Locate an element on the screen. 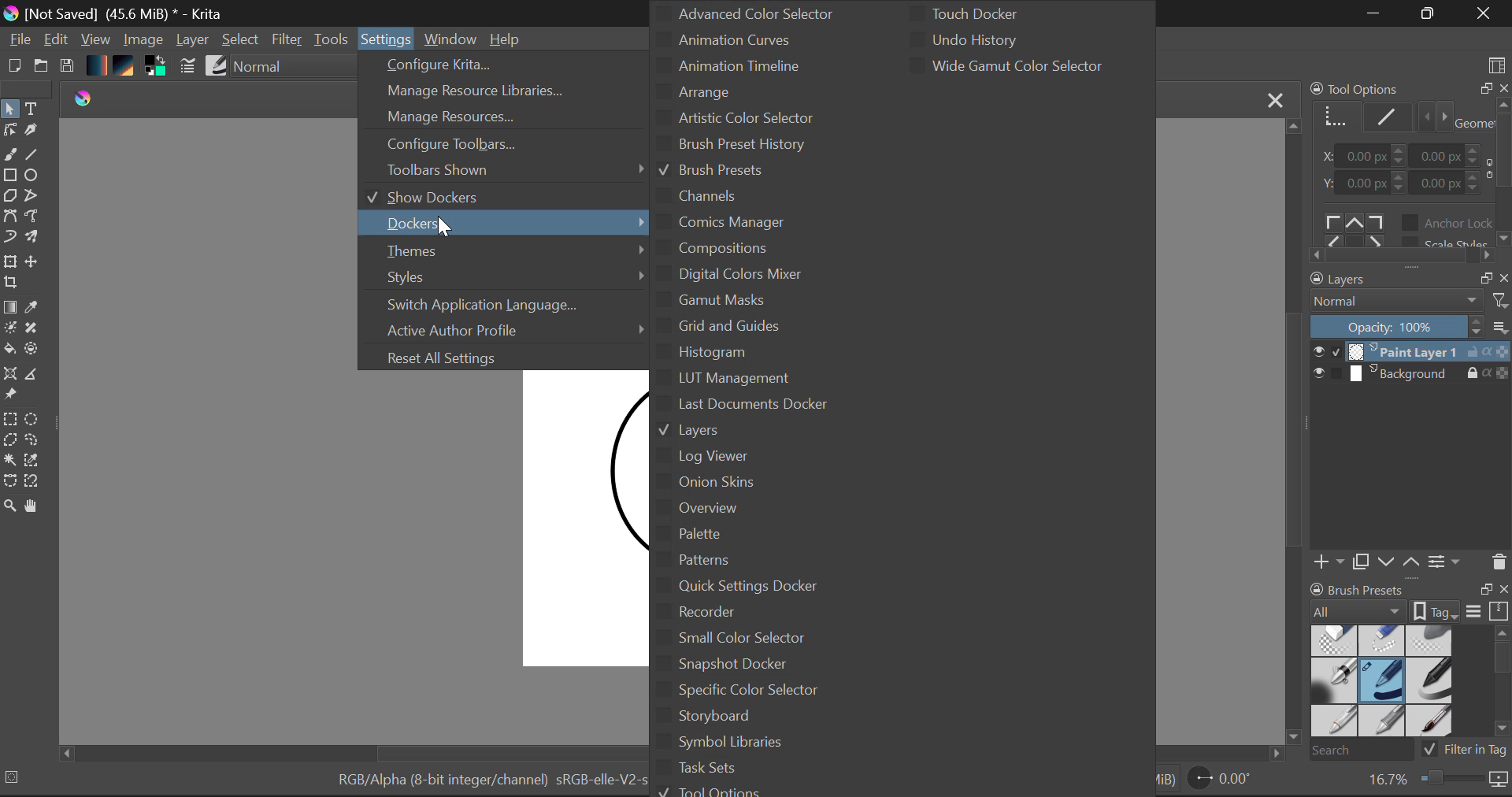  Tools is located at coordinates (332, 41).